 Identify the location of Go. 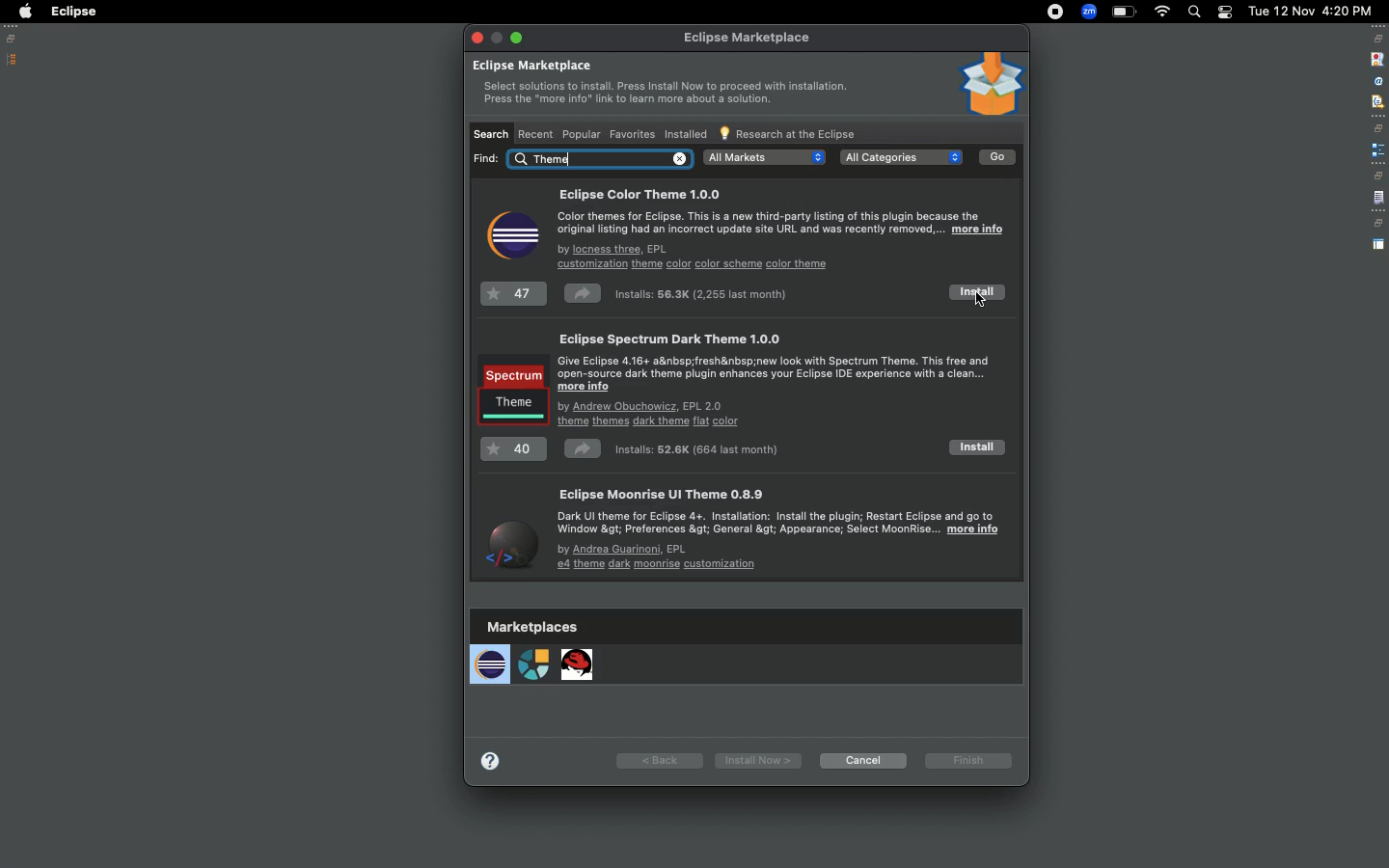
(998, 157).